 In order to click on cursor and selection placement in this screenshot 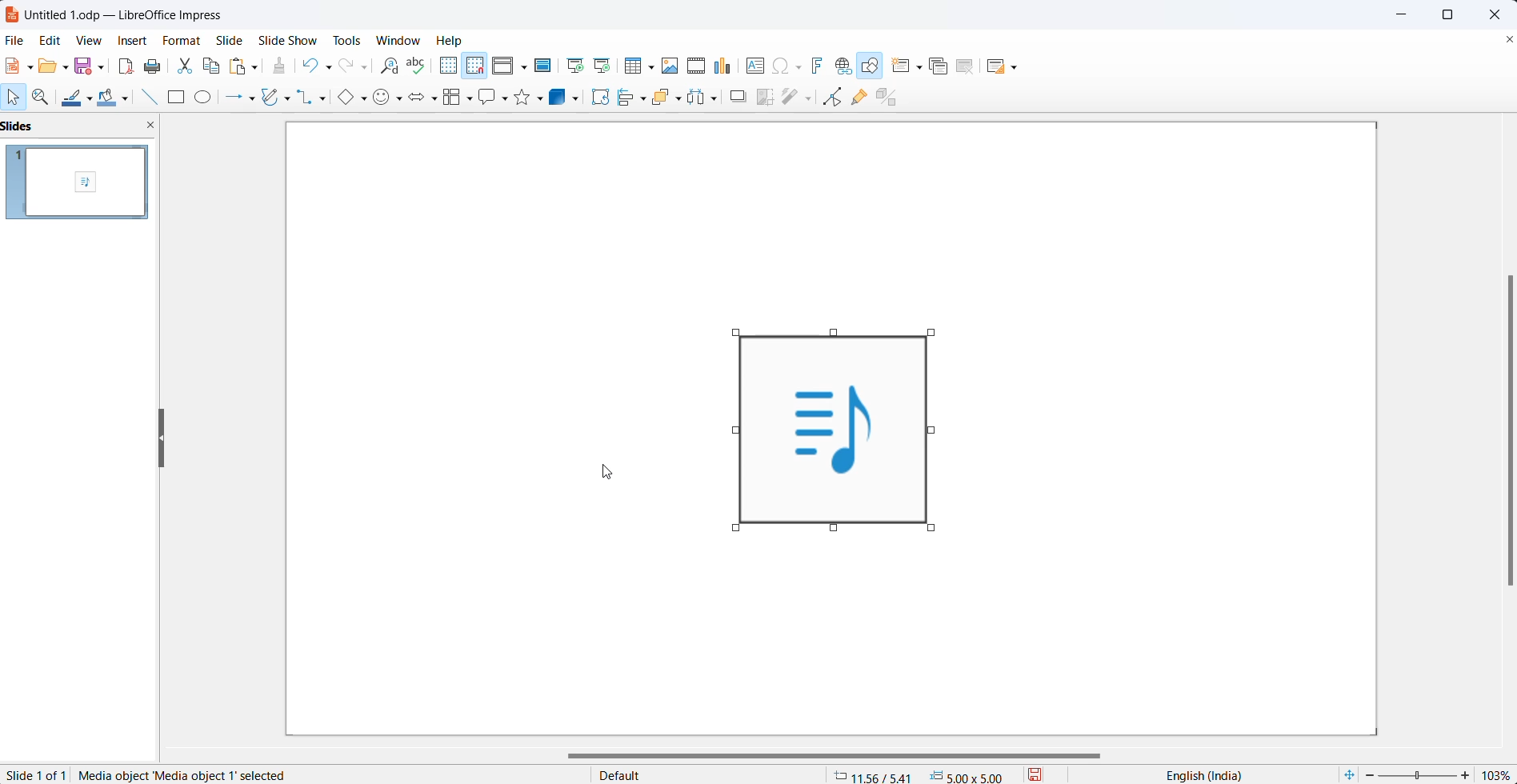, I will do `click(922, 774)`.